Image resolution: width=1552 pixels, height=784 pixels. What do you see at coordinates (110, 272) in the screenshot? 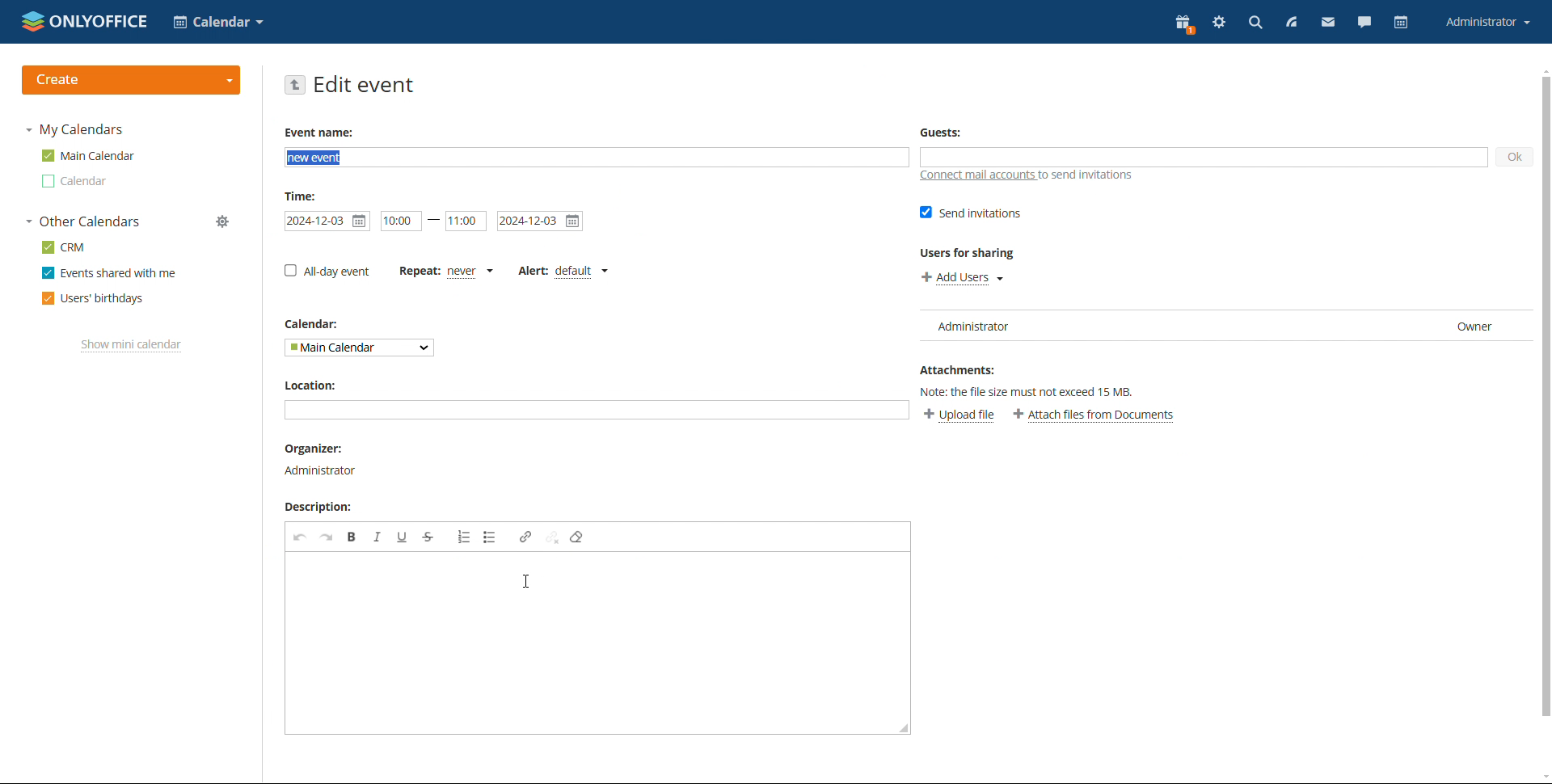
I see `events shared with me` at bounding box center [110, 272].